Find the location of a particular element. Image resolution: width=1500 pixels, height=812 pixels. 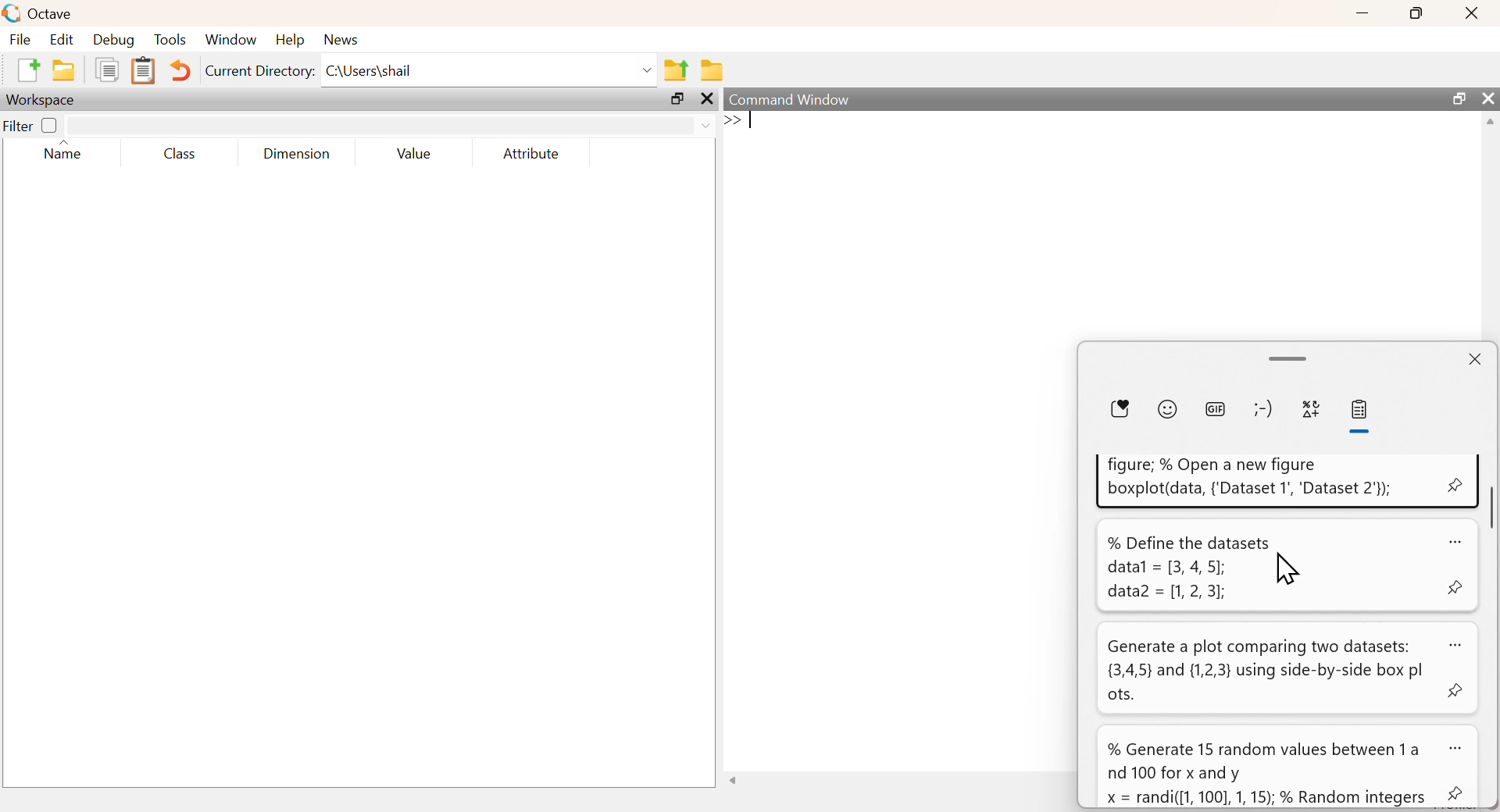

Current Directory: is located at coordinates (261, 72).